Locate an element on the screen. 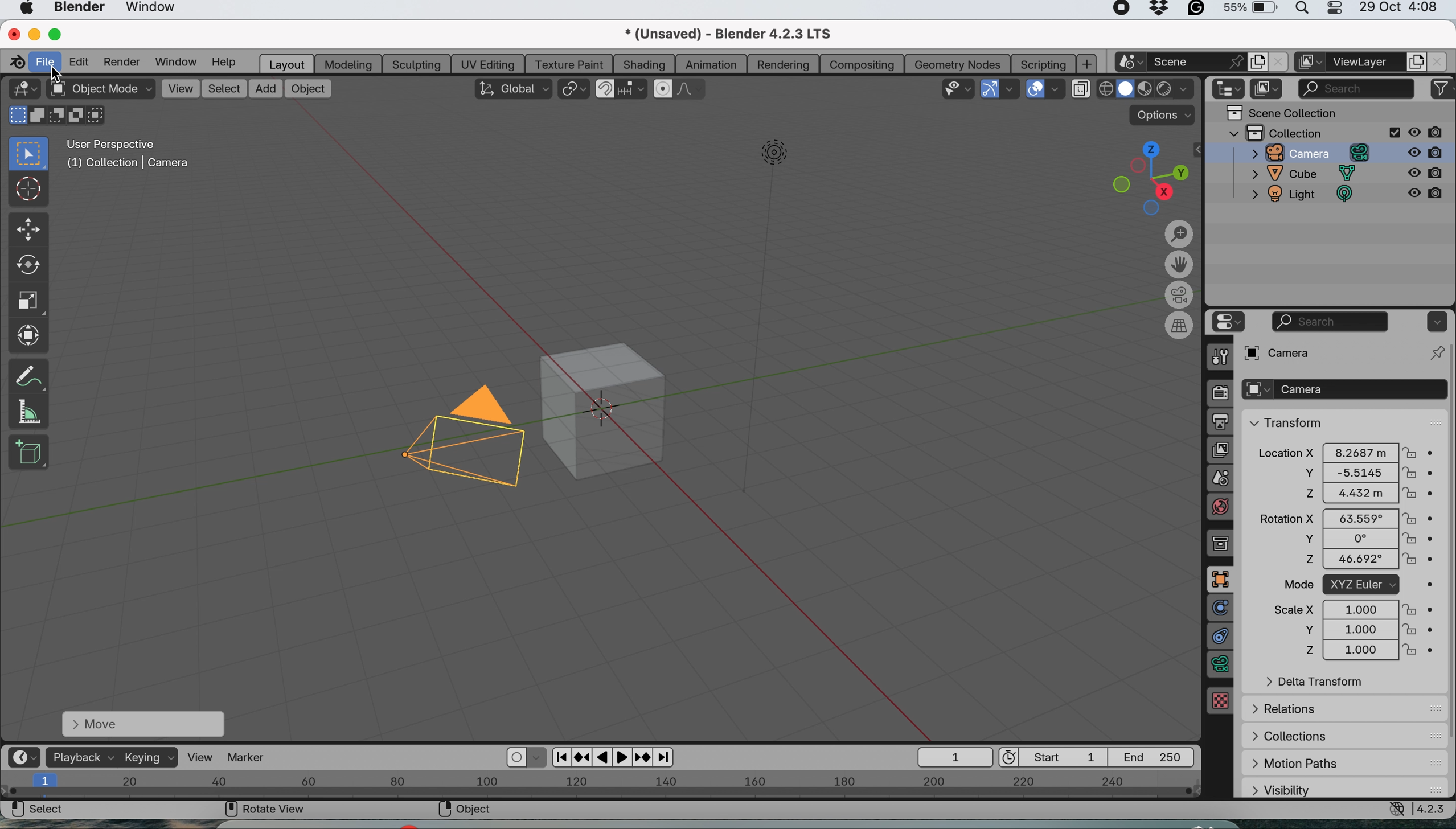 The image size is (1456, 829). rotate is located at coordinates (27, 265).